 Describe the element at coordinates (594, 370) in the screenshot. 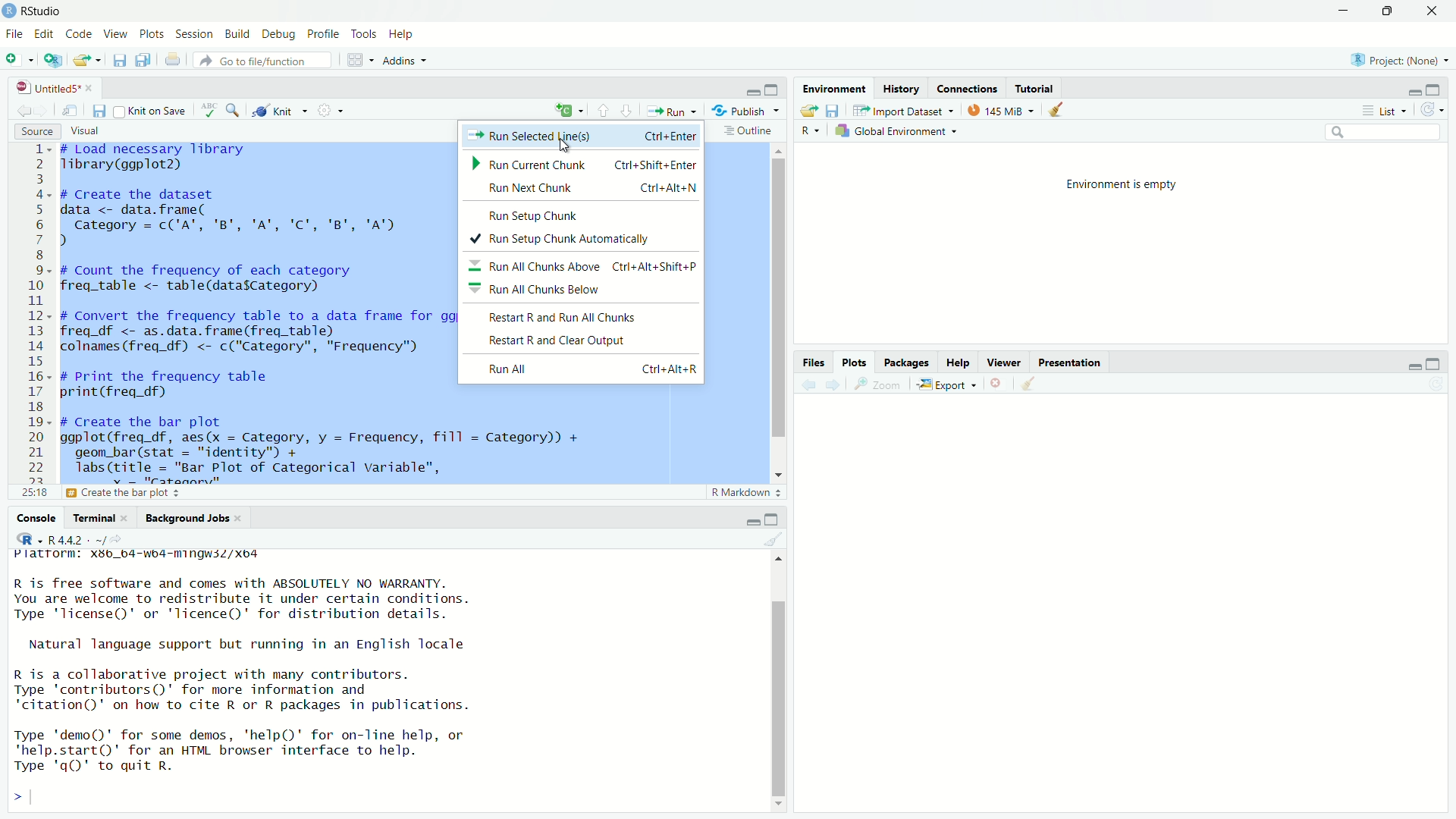

I see `| RunAll Ctrl+Alt+R |` at that location.